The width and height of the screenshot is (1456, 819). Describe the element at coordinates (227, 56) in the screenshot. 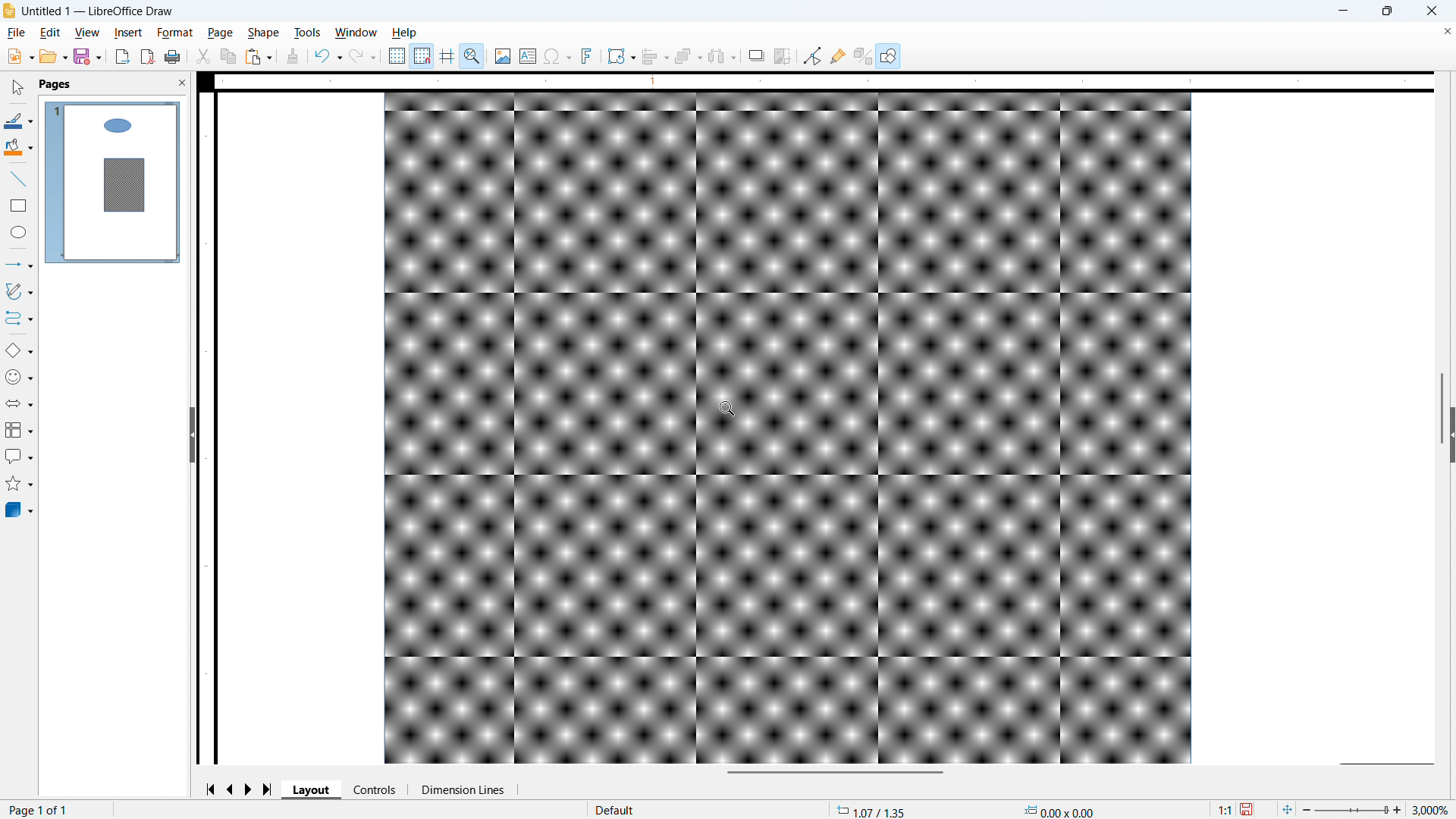

I see `Copy ` at that location.